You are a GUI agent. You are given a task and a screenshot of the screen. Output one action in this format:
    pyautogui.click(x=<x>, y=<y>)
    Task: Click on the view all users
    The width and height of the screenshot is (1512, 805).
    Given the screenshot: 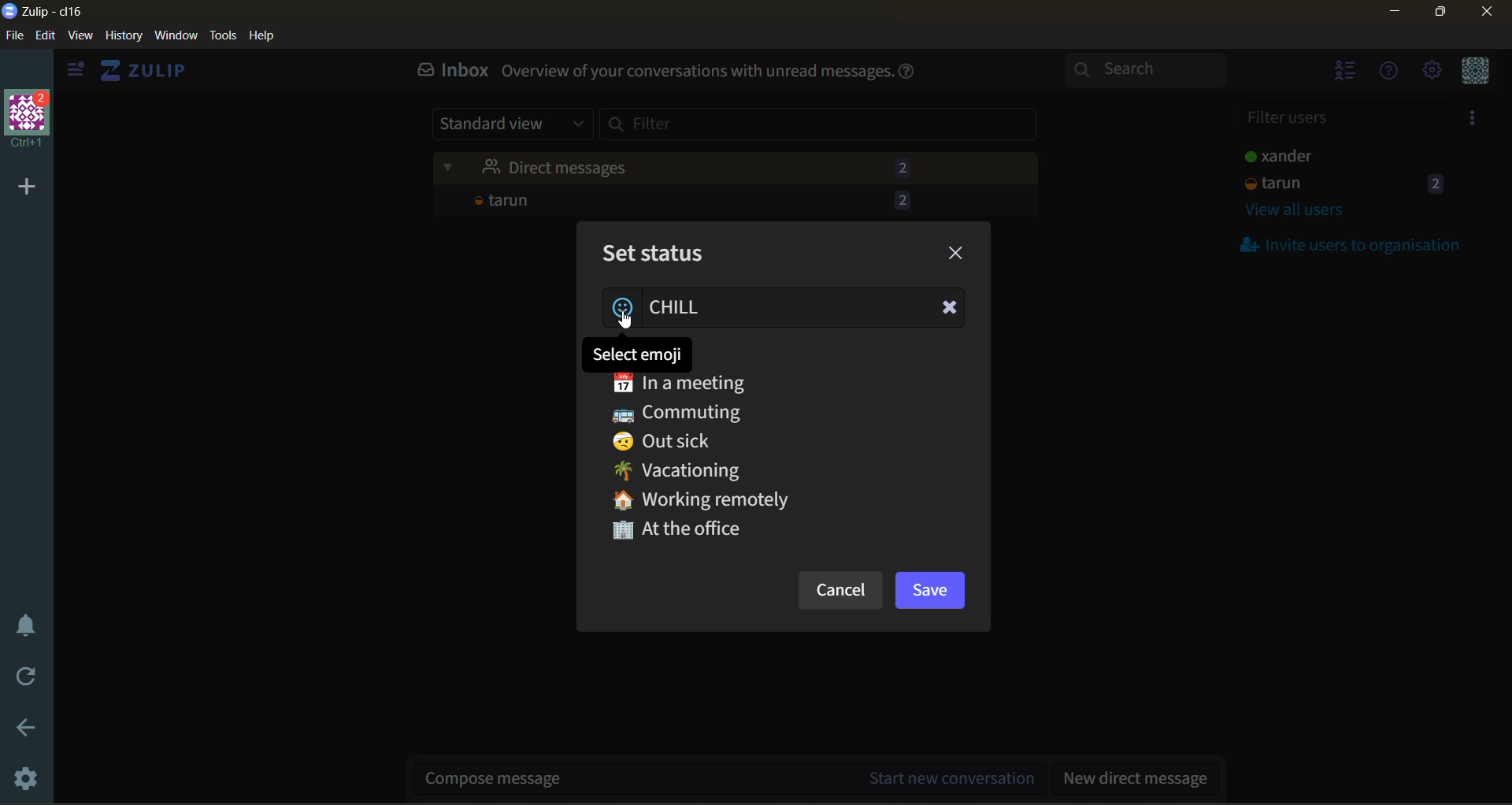 What is the action you would take?
    pyautogui.click(x=1308, y=214)
    